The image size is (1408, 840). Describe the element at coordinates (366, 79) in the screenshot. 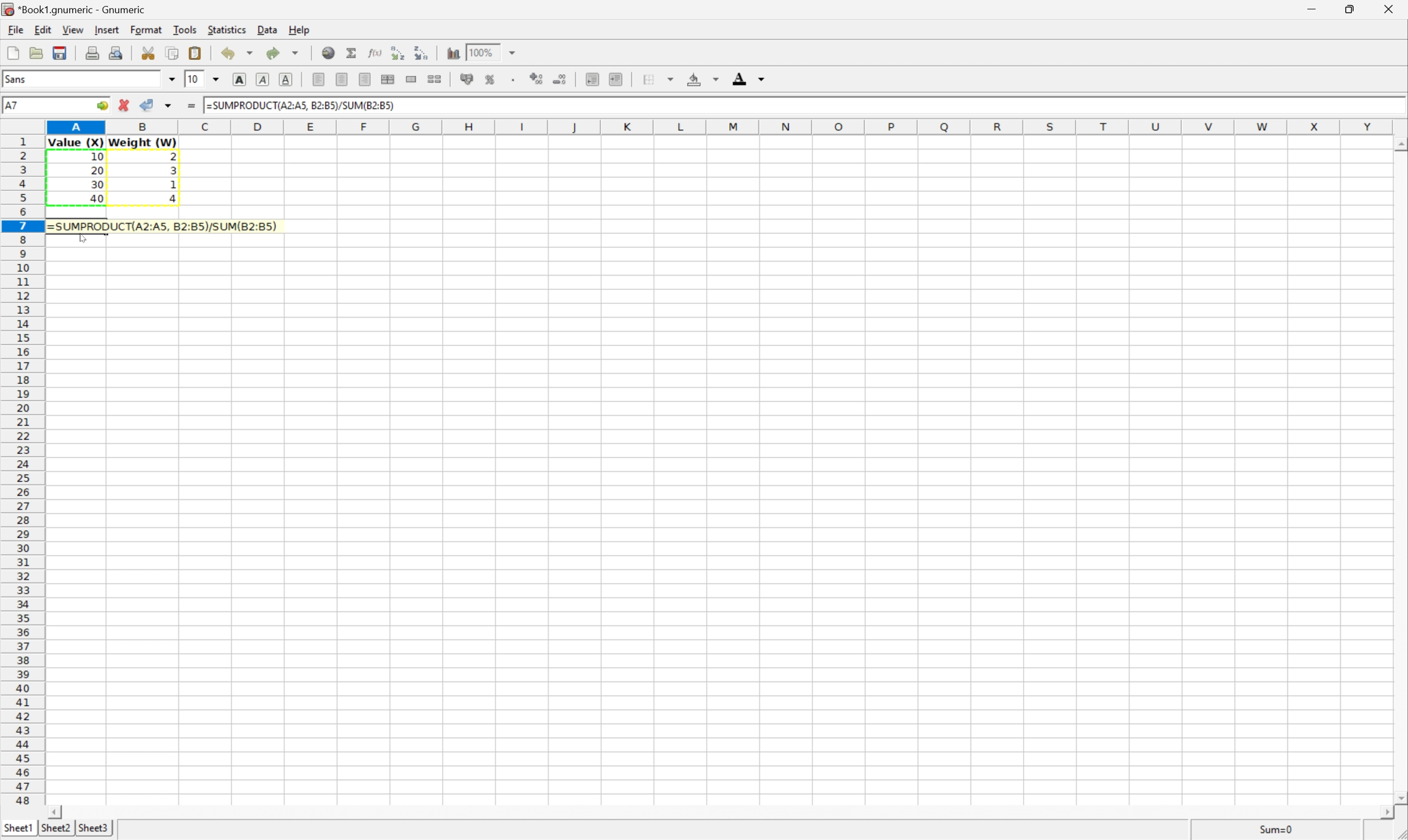

I see `Align Right` at that location.